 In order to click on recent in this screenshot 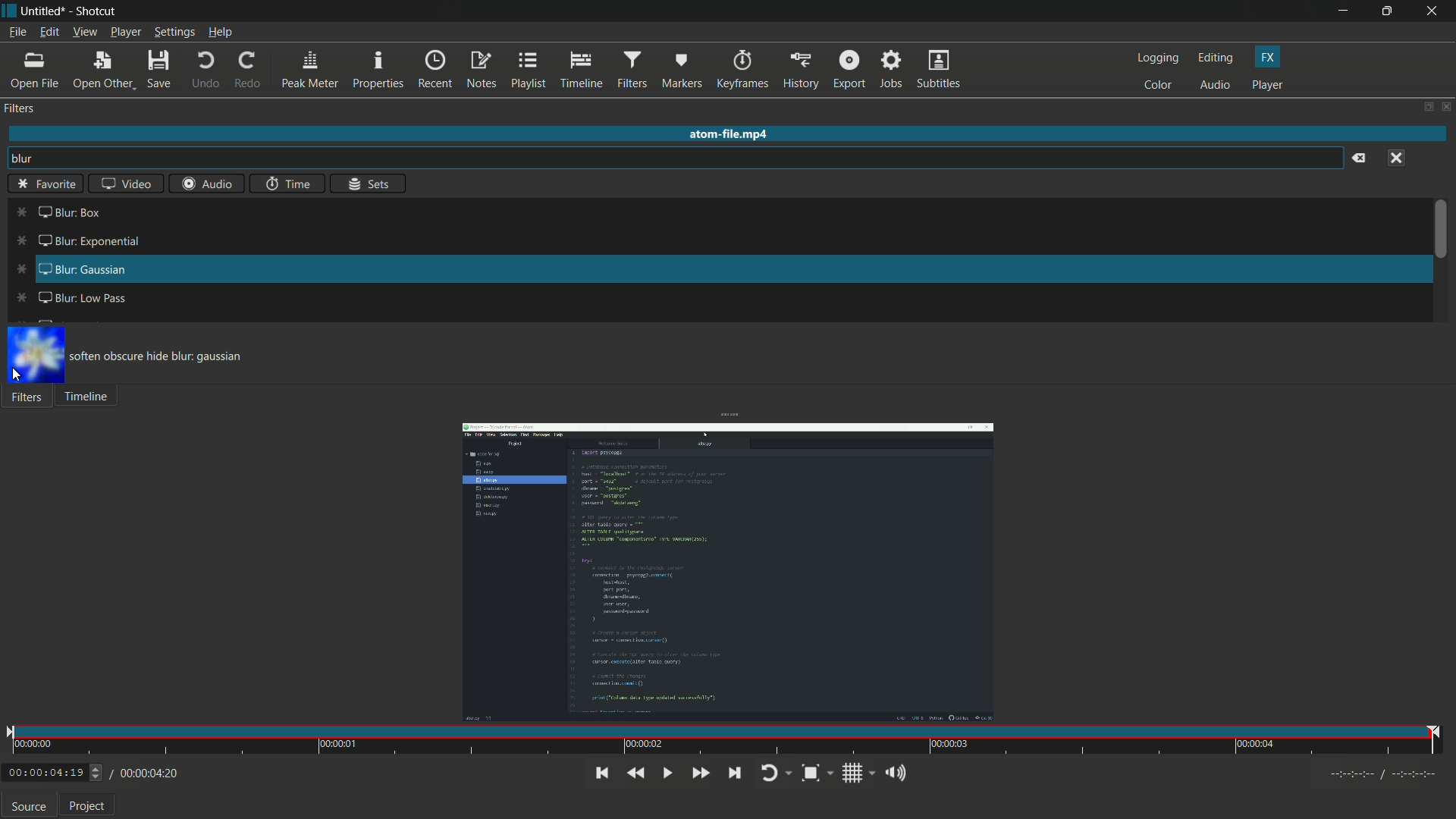, I will do `click(435, 71)`.